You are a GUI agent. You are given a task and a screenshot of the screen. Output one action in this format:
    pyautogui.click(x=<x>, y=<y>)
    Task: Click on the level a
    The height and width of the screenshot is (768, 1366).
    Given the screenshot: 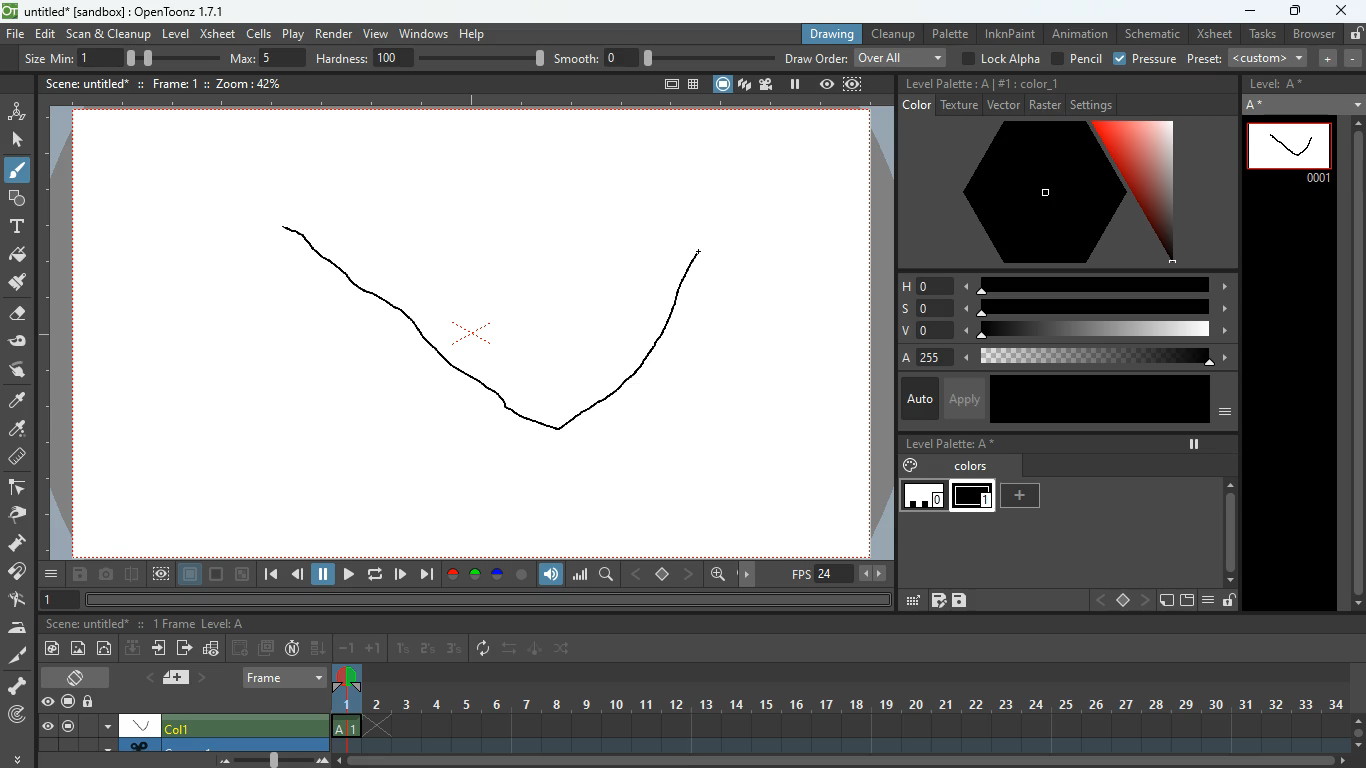 What is the action you would take?
    pyautogui.click(x=1281, y=84)
    